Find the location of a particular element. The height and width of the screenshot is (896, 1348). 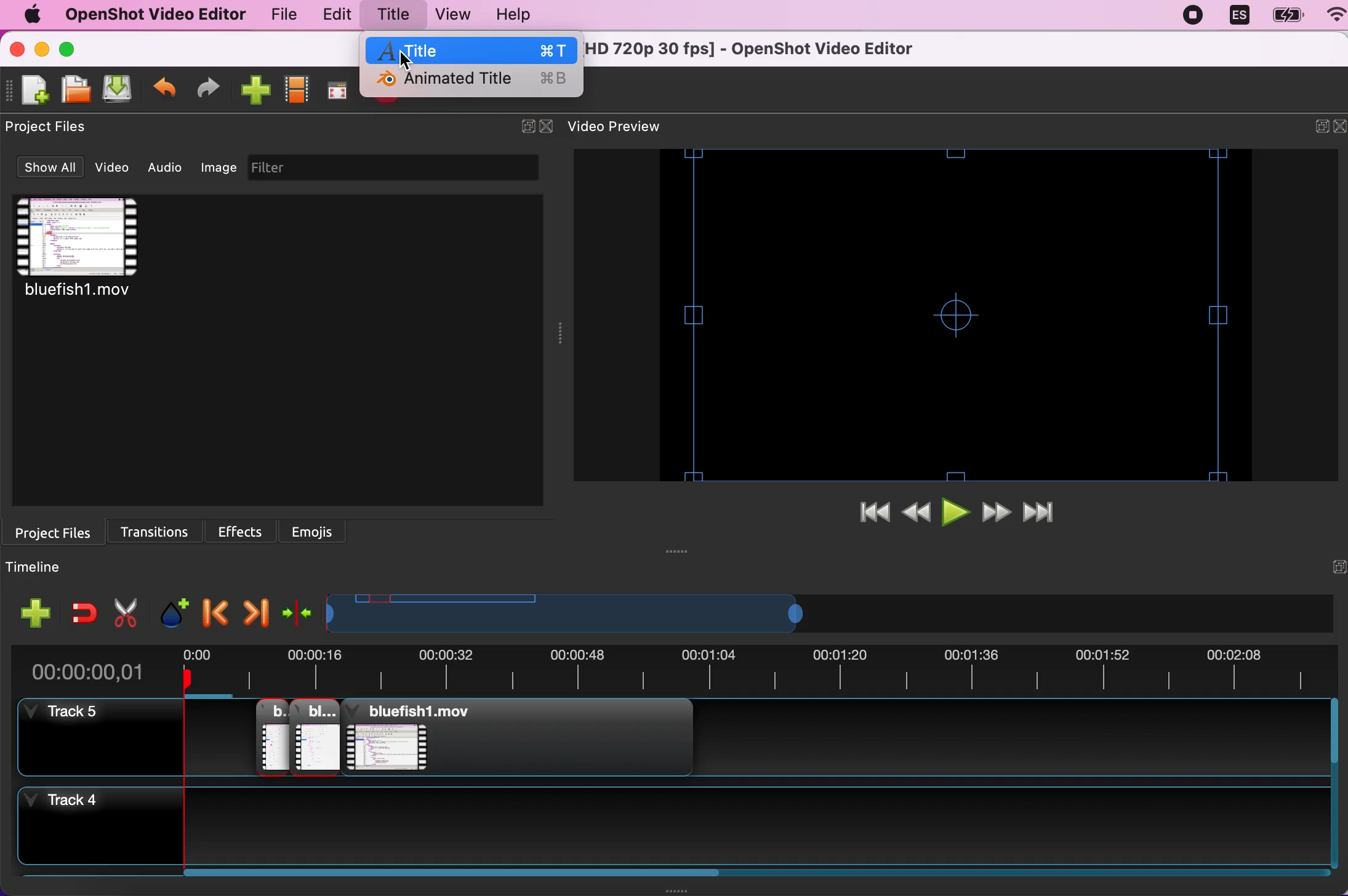

video preview is located at coordinates (960, 315).